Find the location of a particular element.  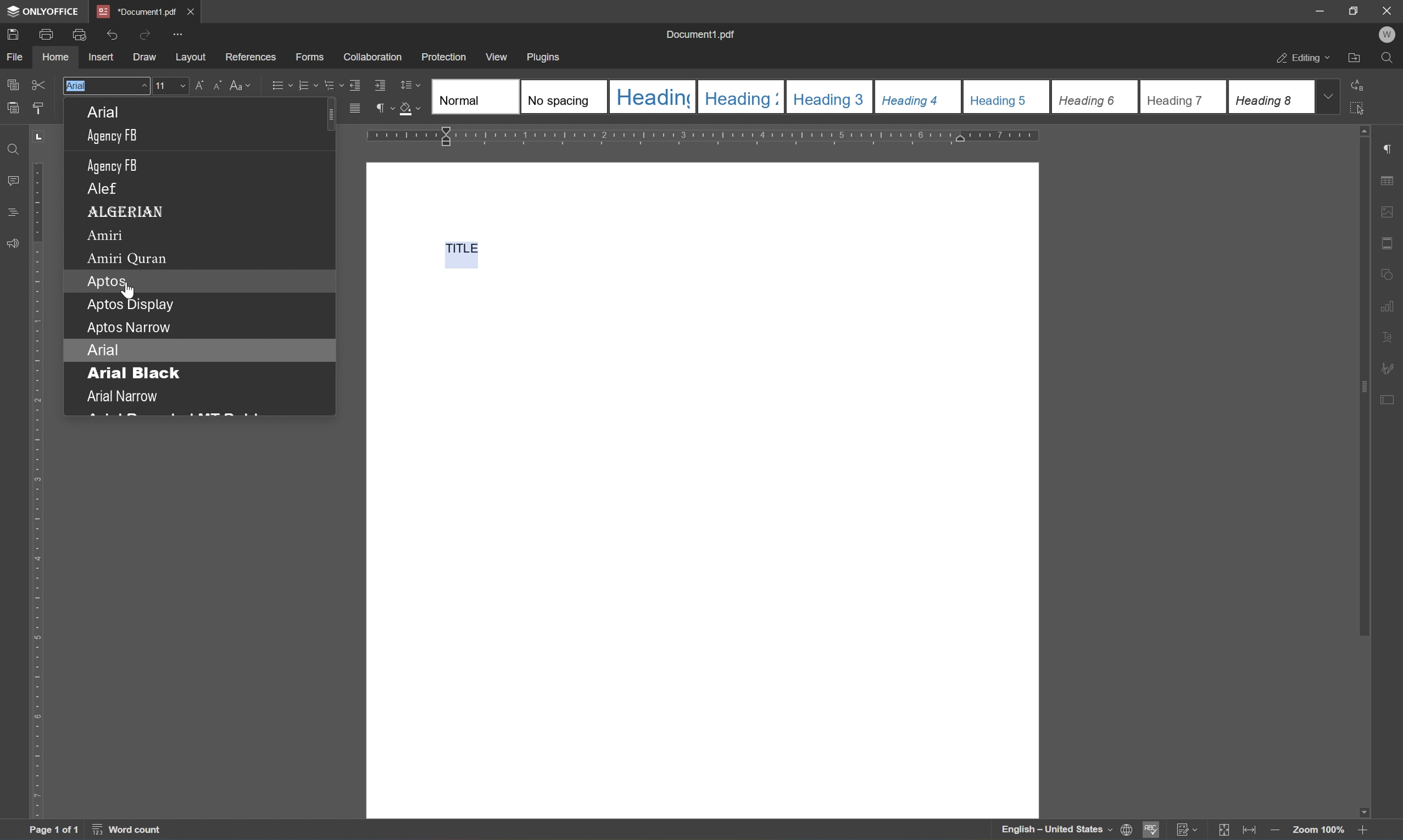

ALEF is located at coordinates (108, 190).